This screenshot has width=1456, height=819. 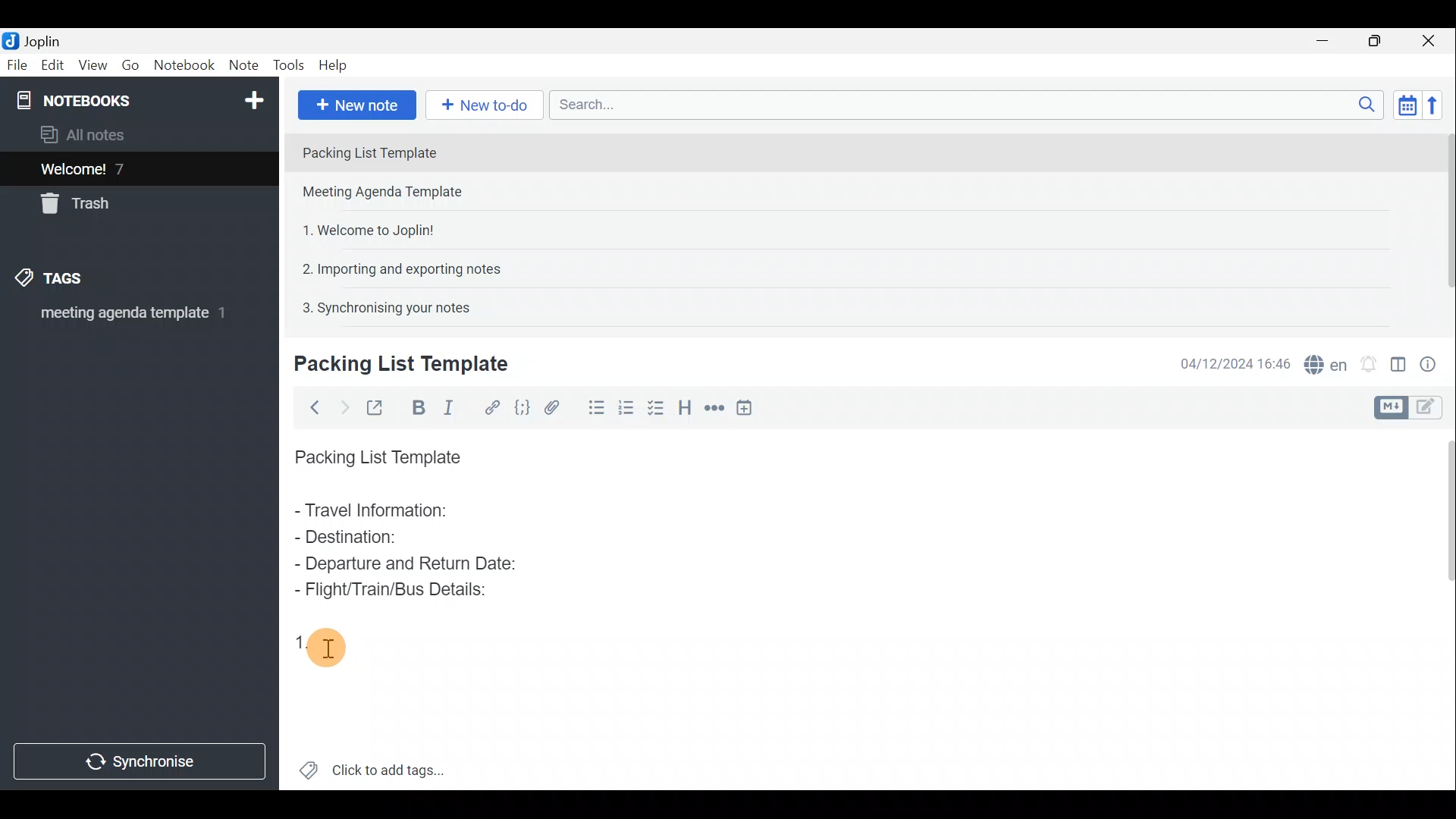 What do you see at coordinates (356, 103) in the screenshot?
I see `New note` at bounding box center [356, 103].